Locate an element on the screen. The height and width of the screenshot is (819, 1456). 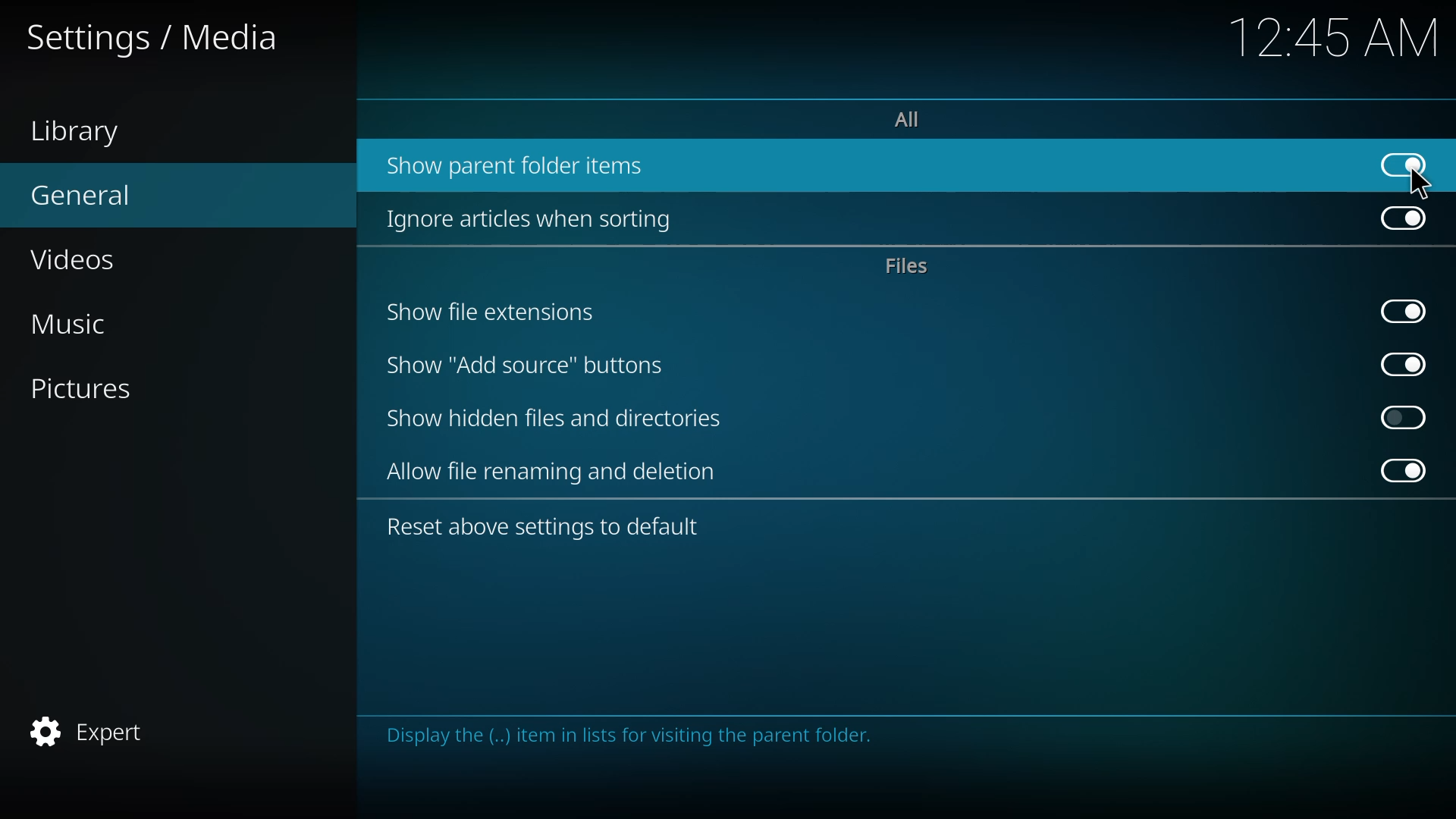
library is located at coordinates (77, 130).